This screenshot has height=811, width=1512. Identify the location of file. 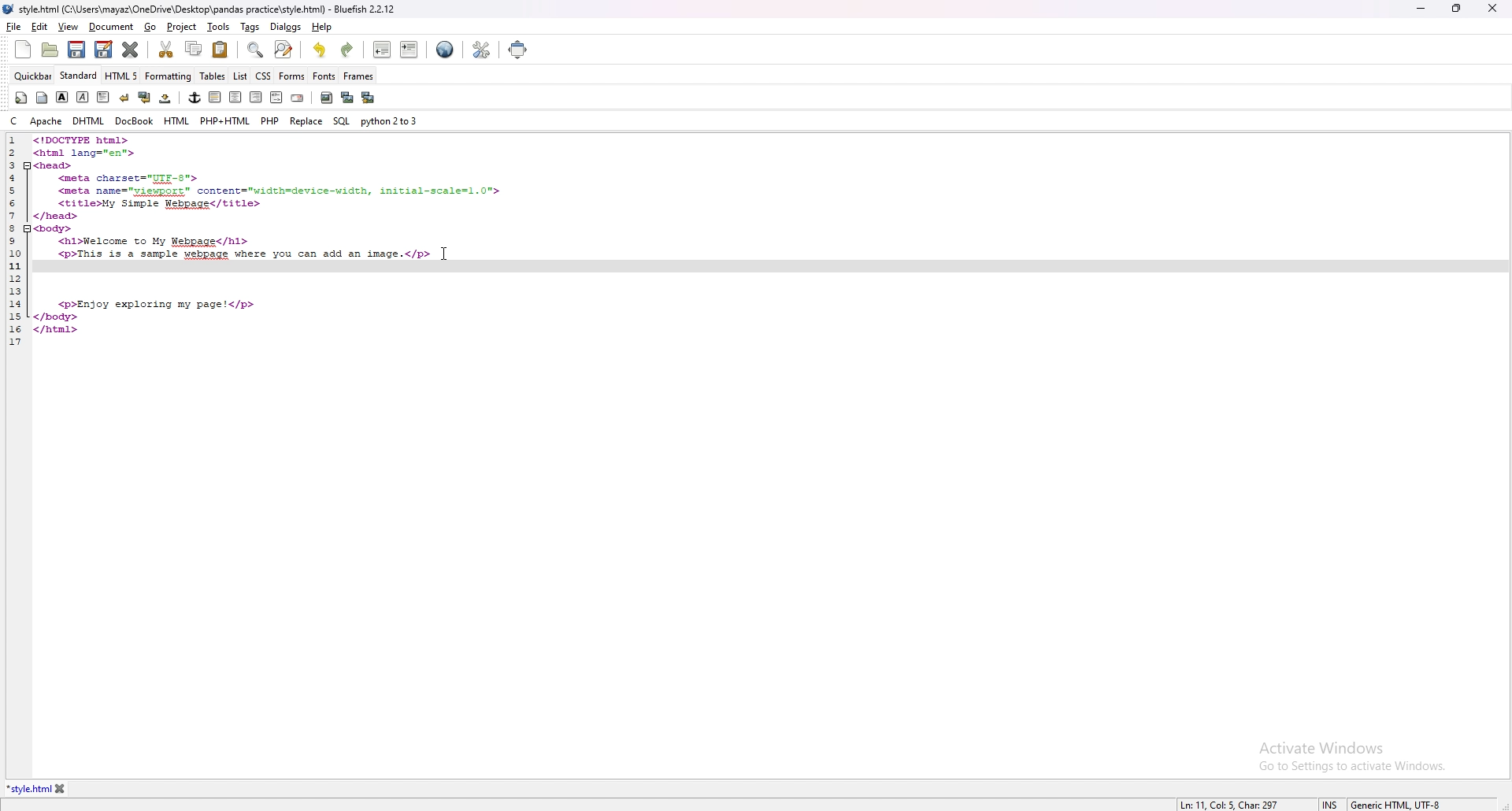
(14, 27).